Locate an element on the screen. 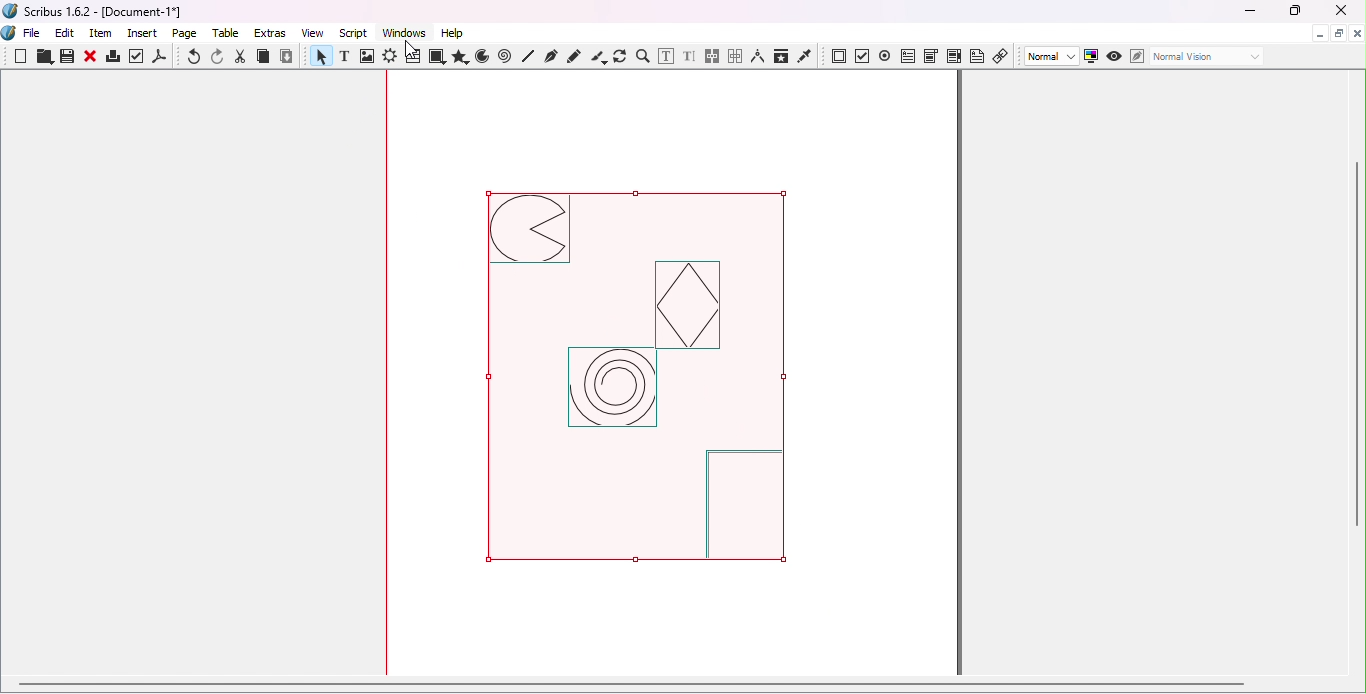 Image resolution: width=1366 pixels, height=694 pixels. Line is located at coordinates (529, 56).